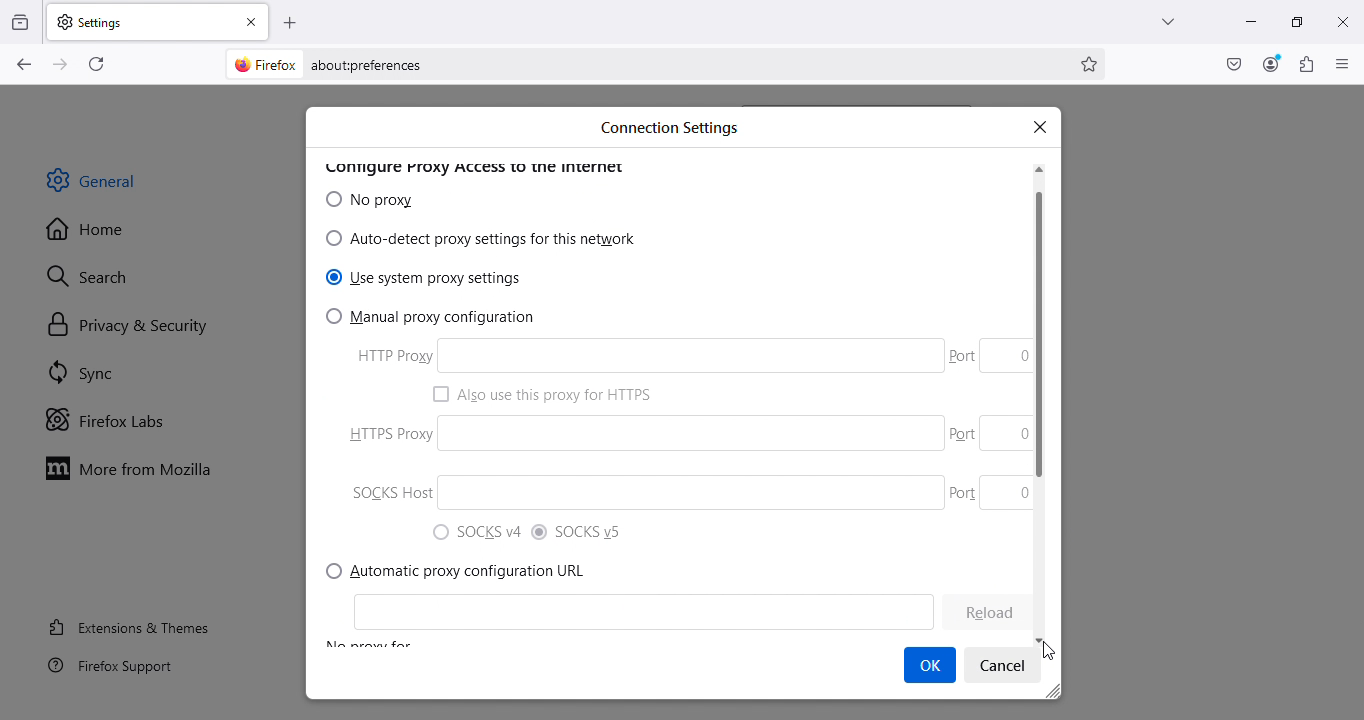 Image resolution: width=1364 pixels, height=720 pixels. Describe the element at coordinates (1248, 21) in the screenshot. I see `Minimize` at that location.